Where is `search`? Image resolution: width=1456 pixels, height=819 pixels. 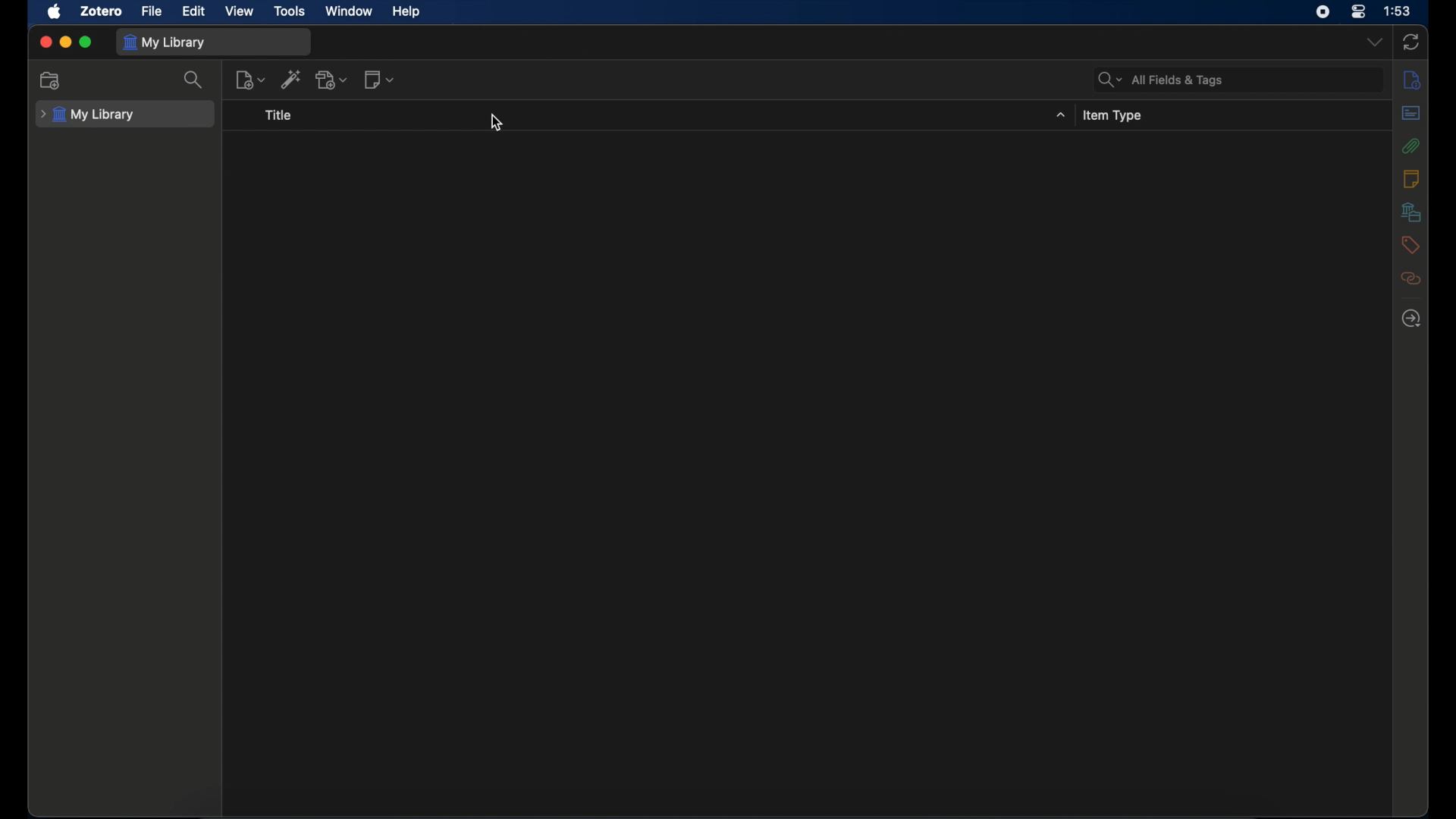
search is located at coordinates (194, 80).